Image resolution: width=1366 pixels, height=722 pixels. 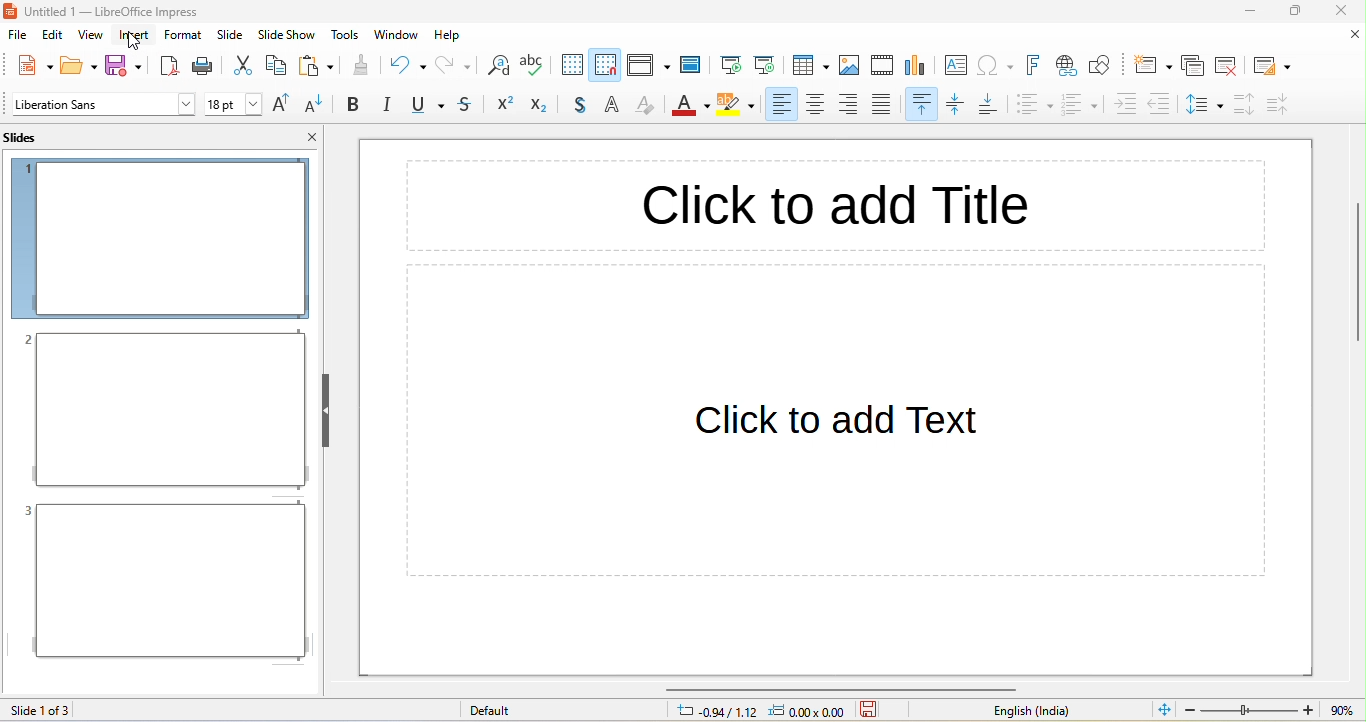 What do you see at coordinates (712, 712) in the screenshot?
I see `0.94/1.12` at bounding box center [712, 712].